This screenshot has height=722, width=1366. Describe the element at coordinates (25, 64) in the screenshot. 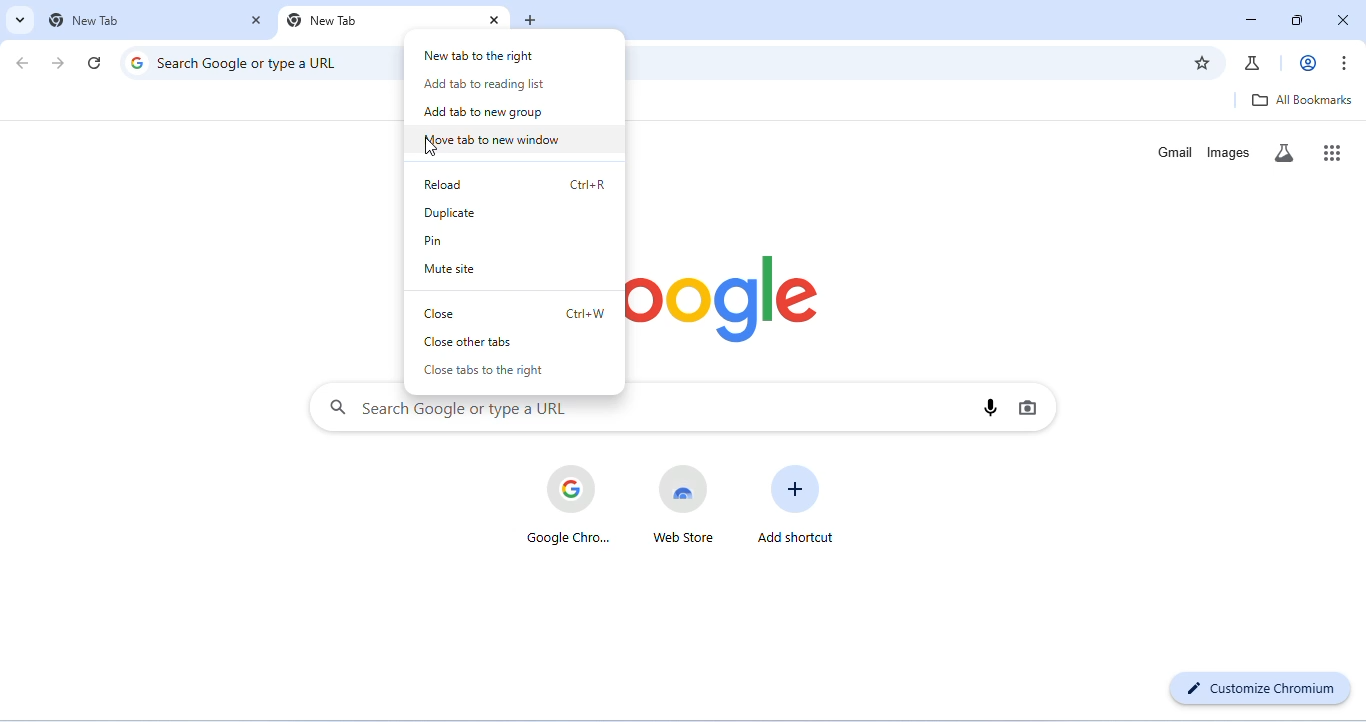

I see `go back` at that location.